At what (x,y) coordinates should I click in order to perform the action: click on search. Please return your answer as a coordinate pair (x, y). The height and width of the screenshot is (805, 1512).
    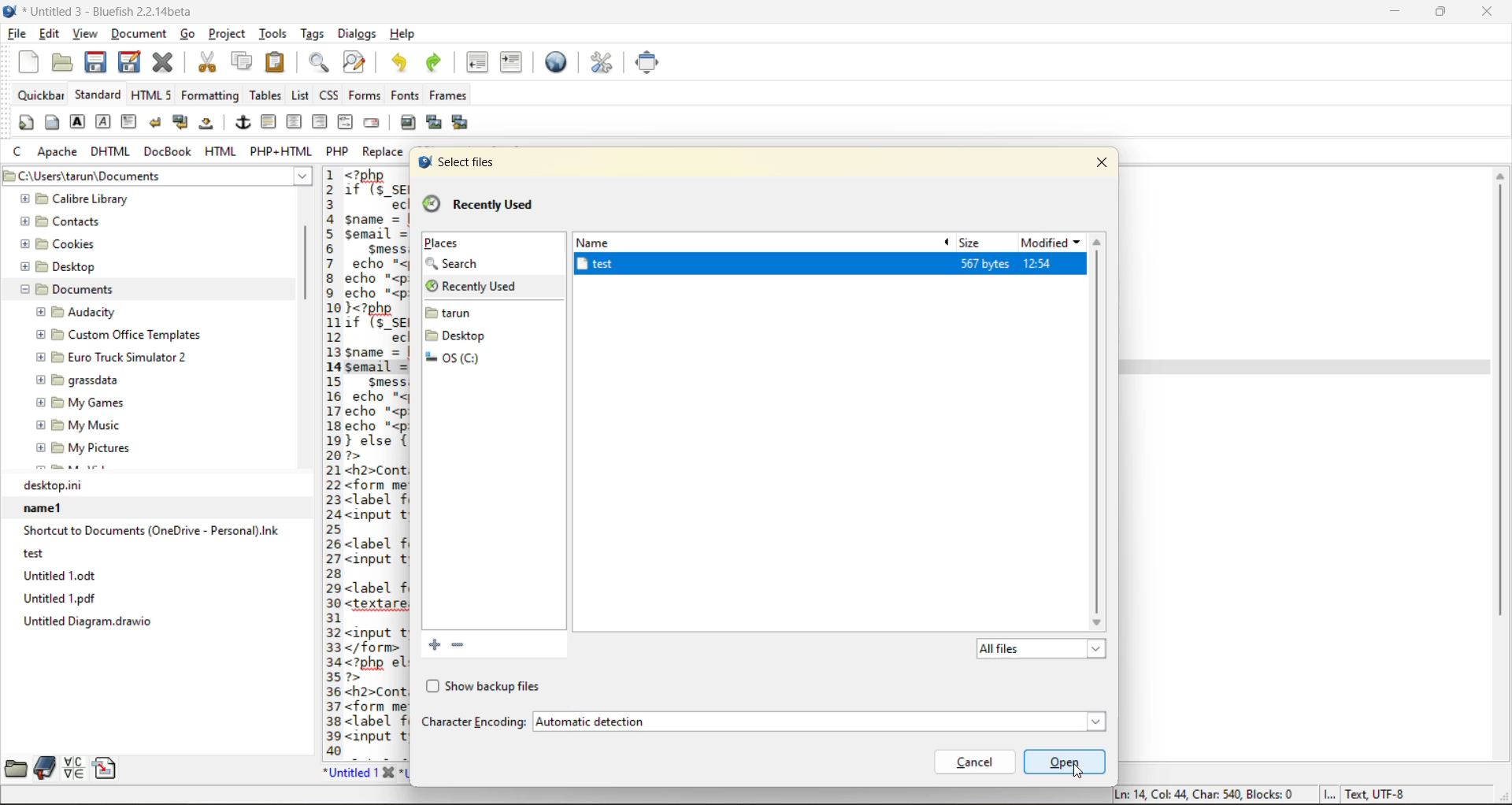
    Looking at the image, I should click on (462, 265).